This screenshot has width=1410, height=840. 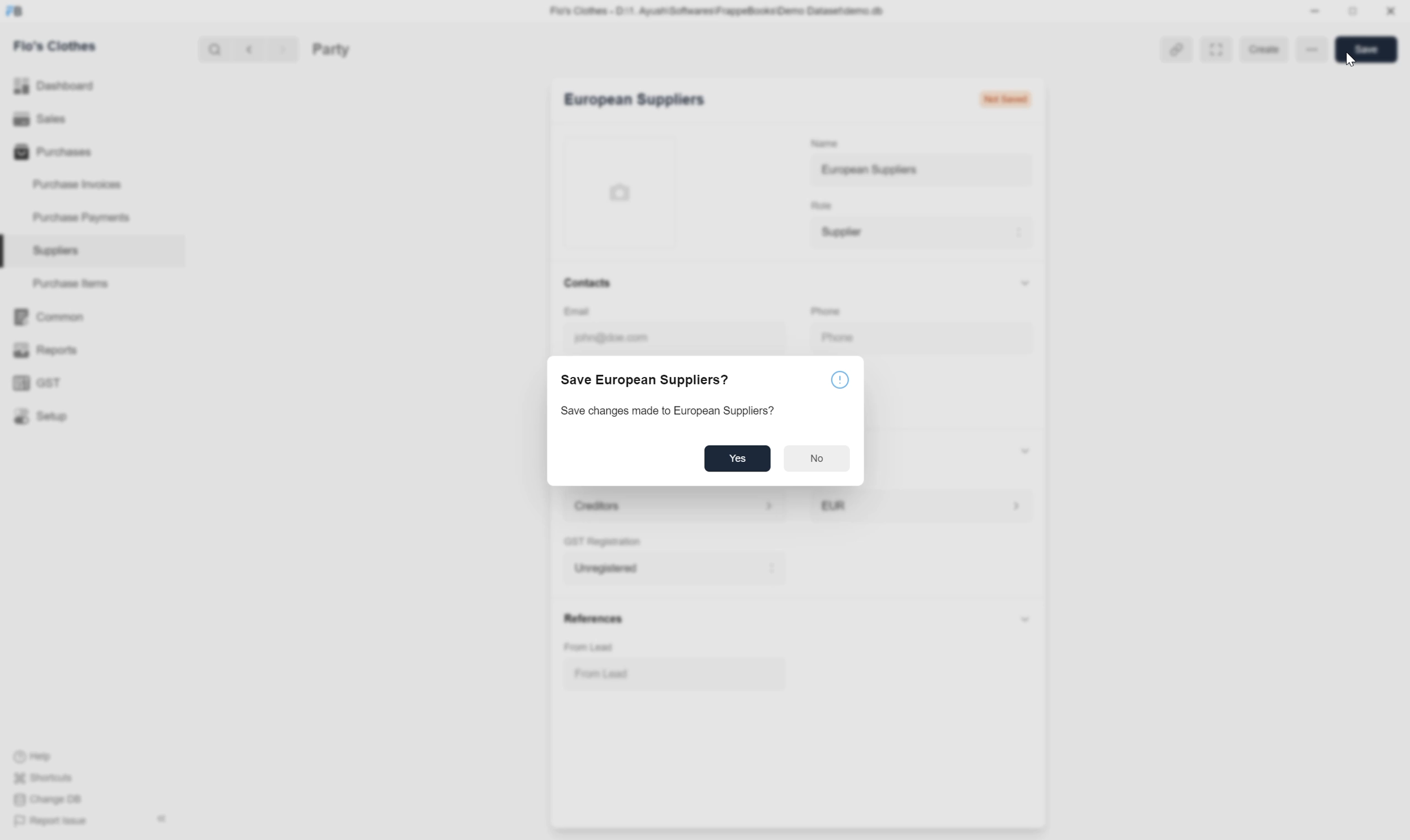 What do you see at coordinates (55, 87) in the screenshot?
I see `dashboard` at bounding box center [55, 87].